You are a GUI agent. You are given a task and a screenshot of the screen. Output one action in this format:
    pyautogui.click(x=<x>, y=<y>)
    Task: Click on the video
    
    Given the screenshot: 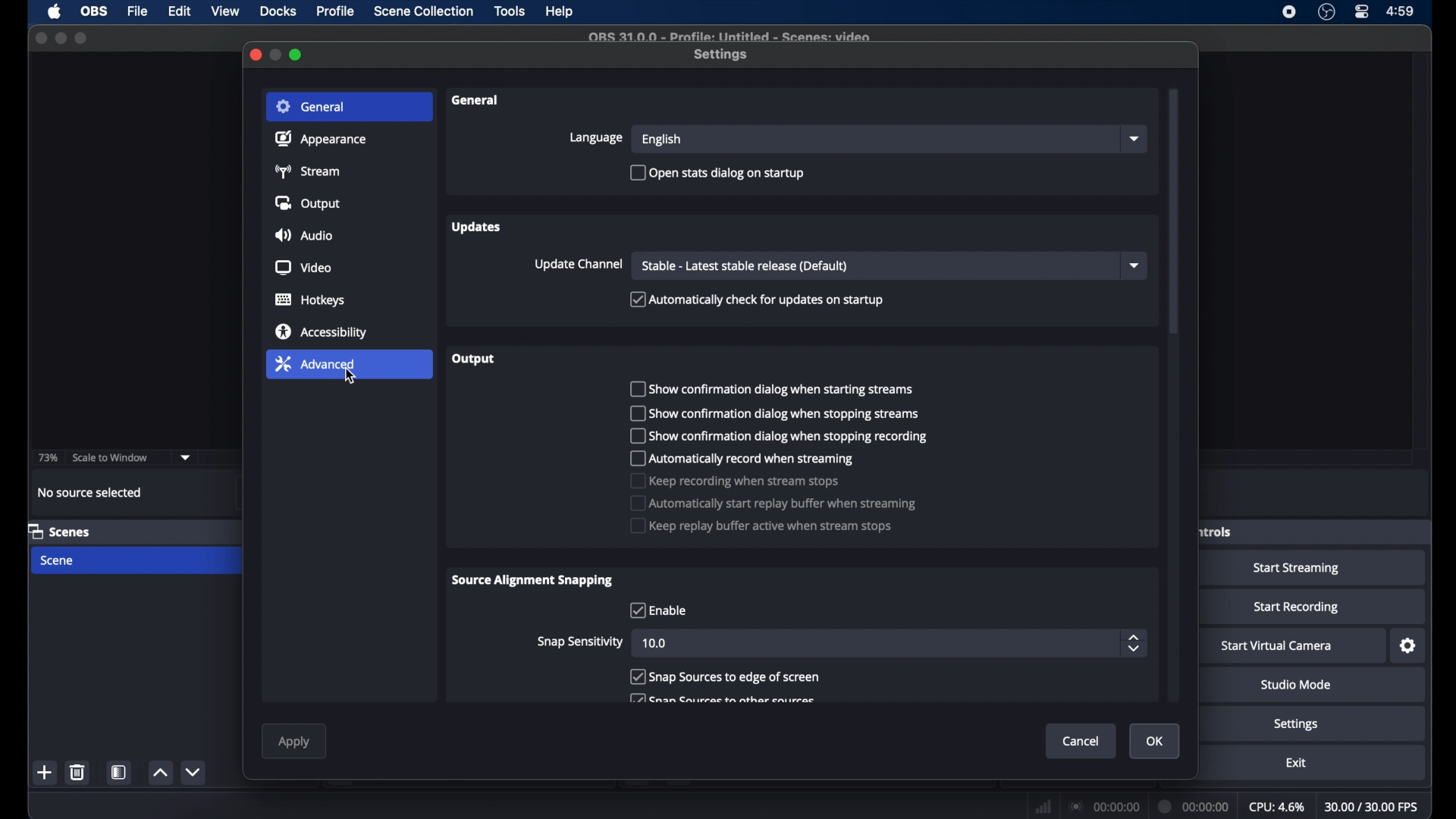 What is the action you would take?
    pyautogui.click(x=303, y=268)
    